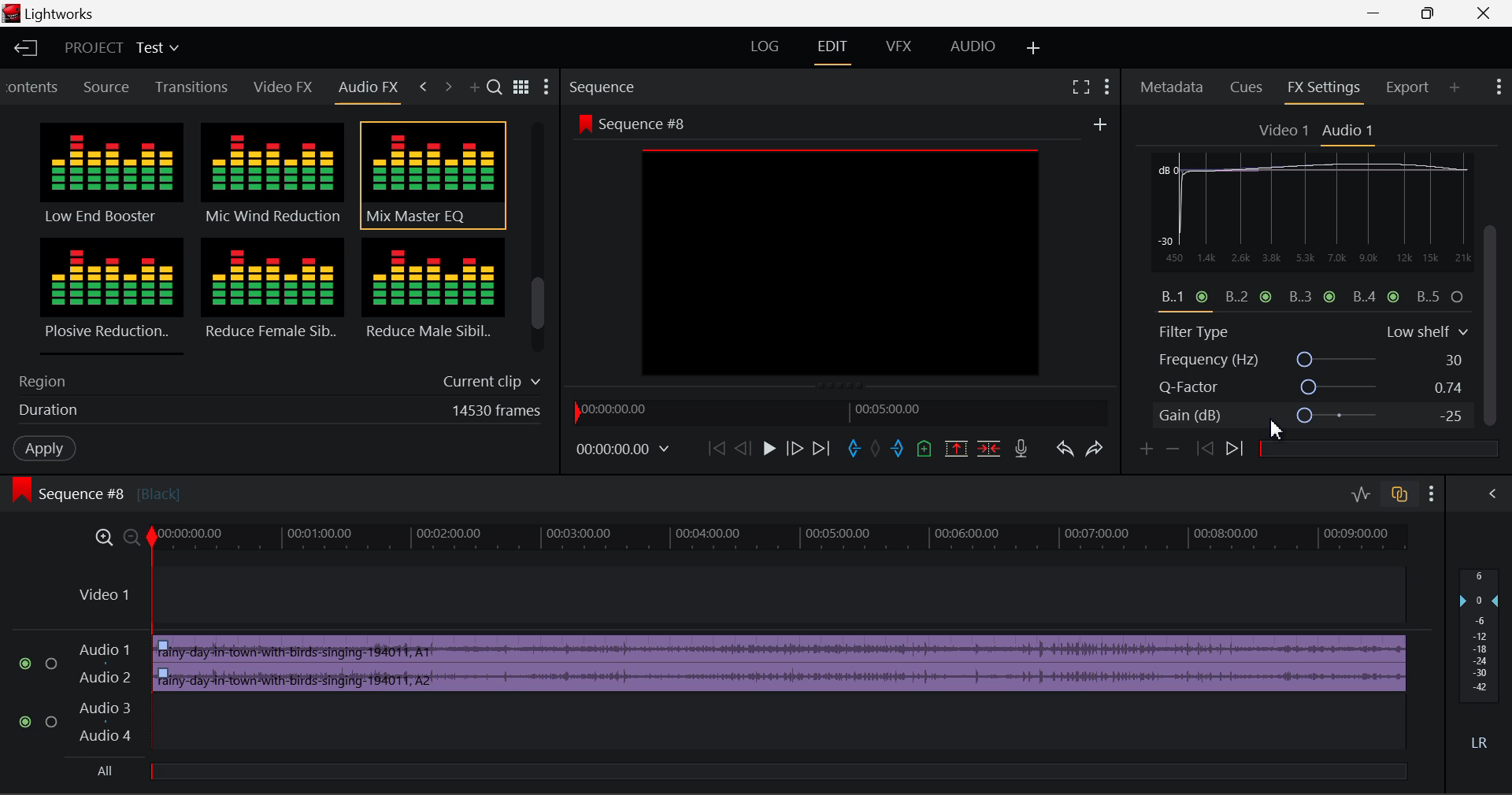 The height and width of the screenshot is (795, 1512). What do you see at coordinates (1020, 449) in the screenshot?
I see `Record Voiceover` at bounding box center [1020, 449].